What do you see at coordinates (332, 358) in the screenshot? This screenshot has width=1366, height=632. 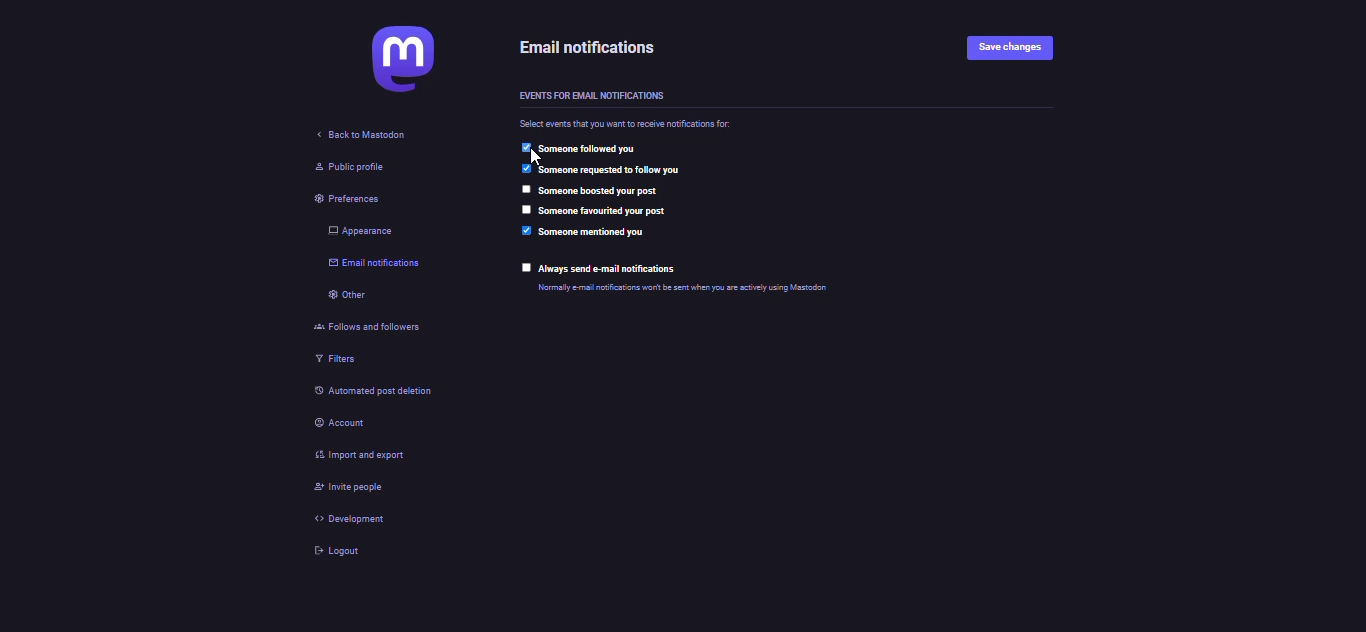 I see `filters` at bounding box center [332, 358].